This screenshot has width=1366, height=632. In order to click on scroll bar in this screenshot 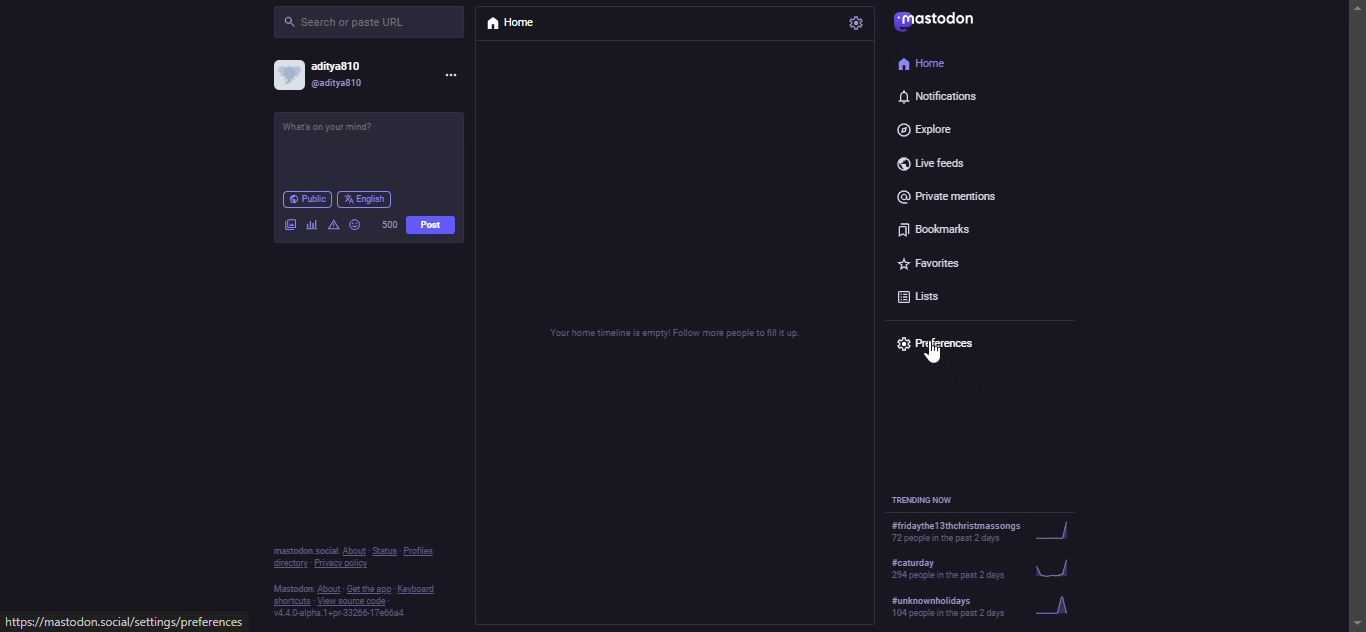, I will do `click(1353, 296)`.